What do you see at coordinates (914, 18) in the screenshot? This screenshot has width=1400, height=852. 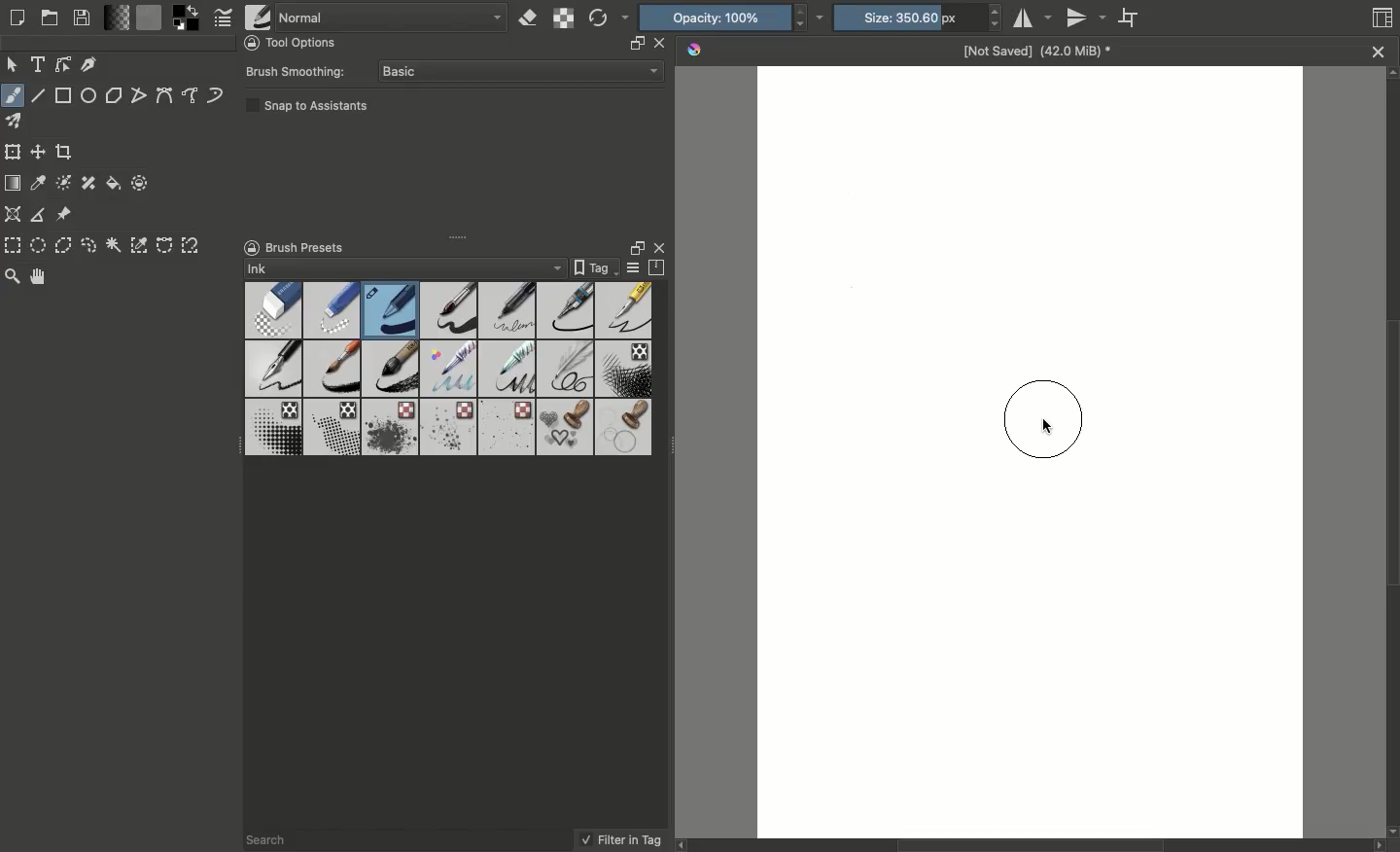 I see `Size` at bounding box center [914, 18].